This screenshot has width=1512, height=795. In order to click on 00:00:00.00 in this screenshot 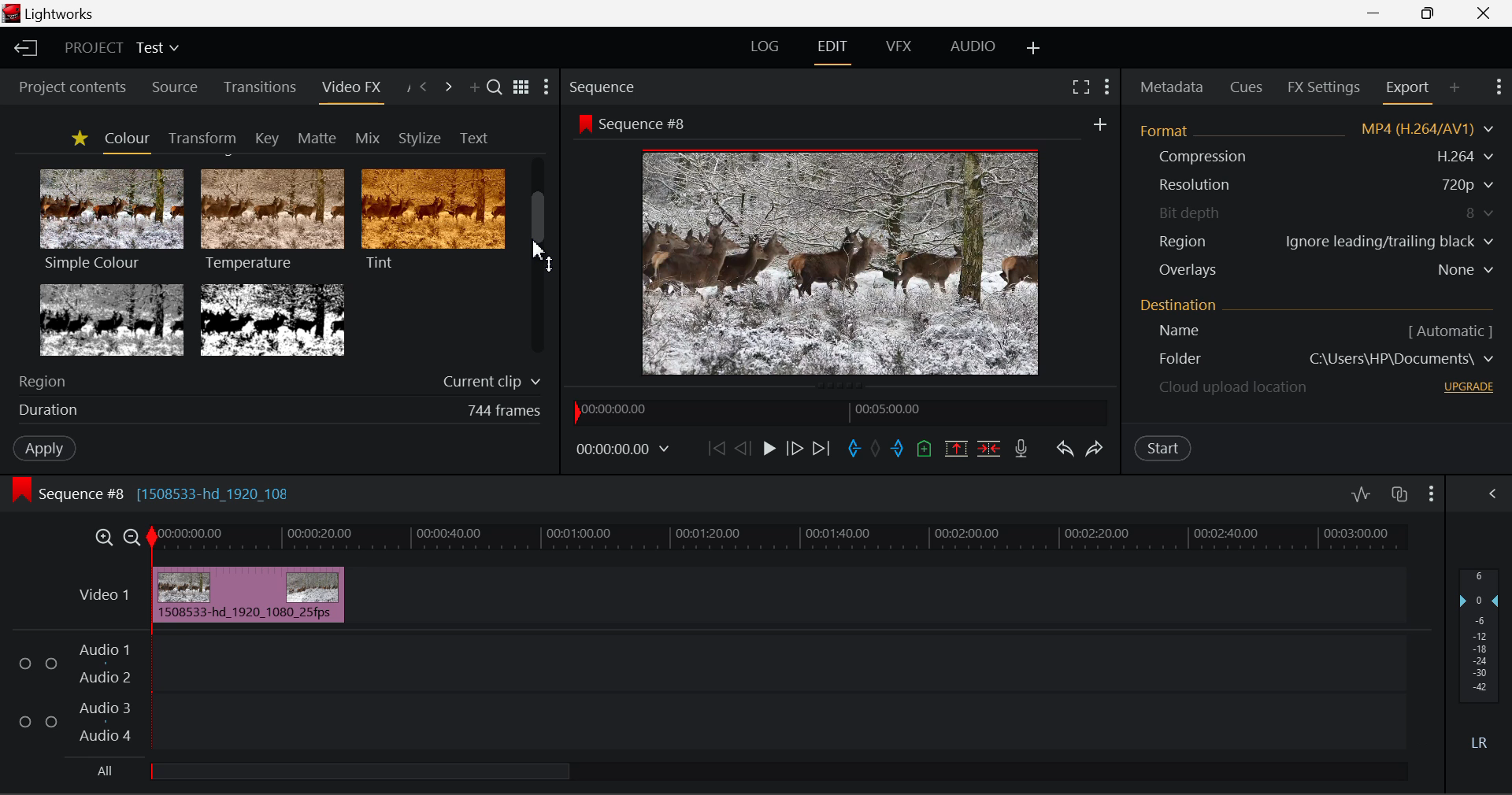, I will do `click(625, 449)`.